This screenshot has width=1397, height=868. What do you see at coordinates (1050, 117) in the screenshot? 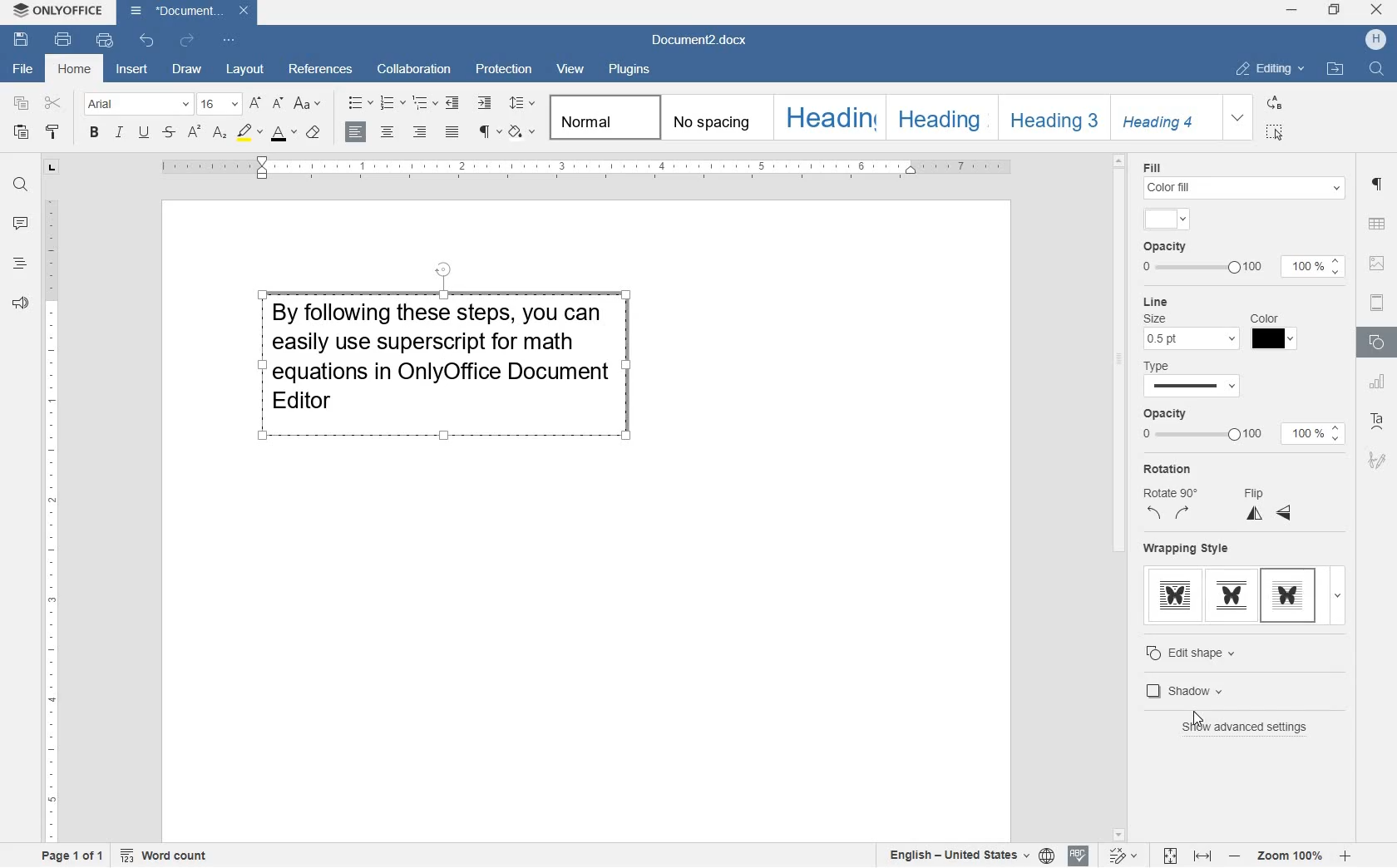
I see `HEADING 3` at bounding box center [1050, 117].